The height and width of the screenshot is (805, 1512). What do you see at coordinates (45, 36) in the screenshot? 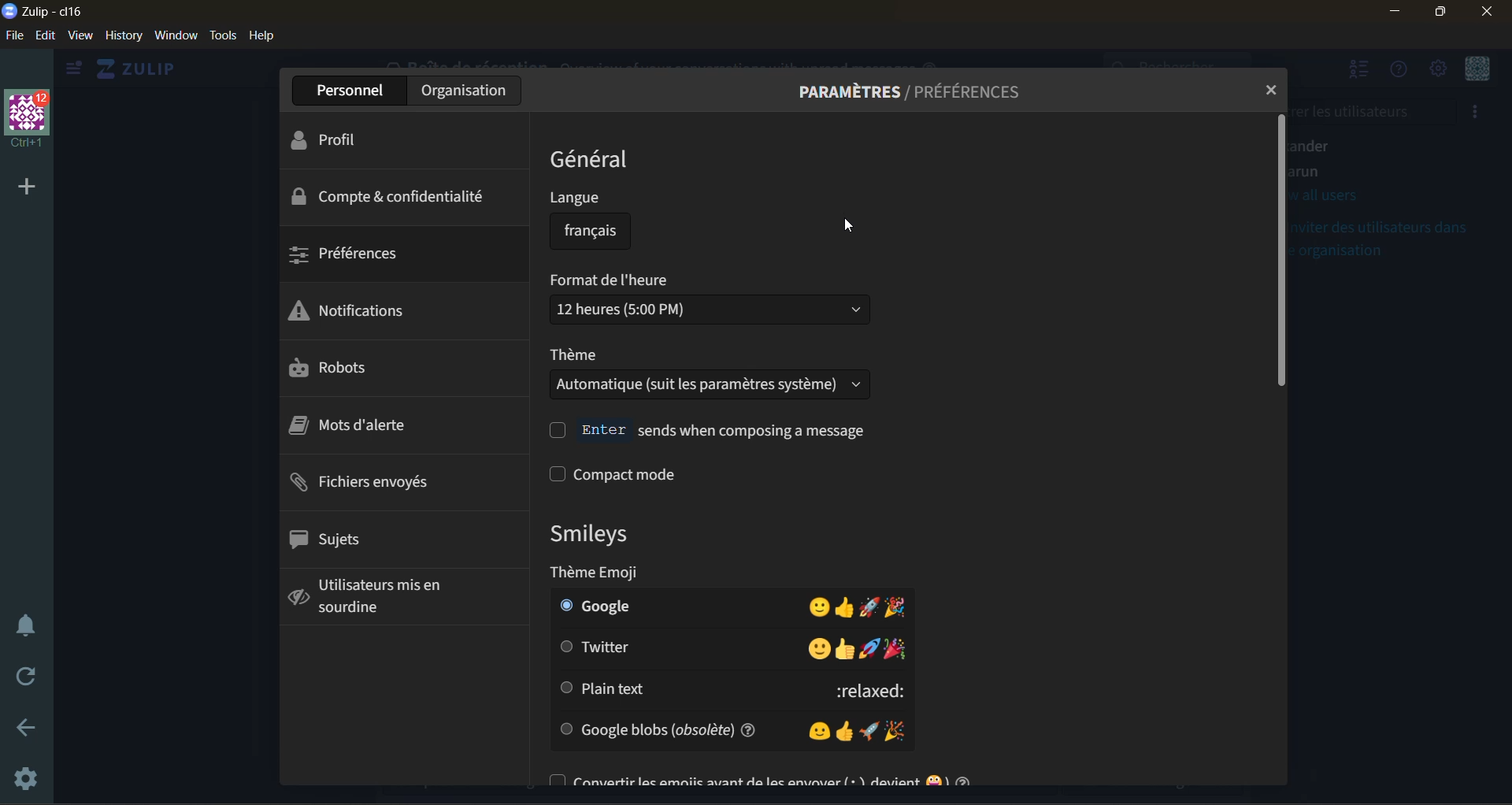
I see `edit` at bounding box center [45, 36].